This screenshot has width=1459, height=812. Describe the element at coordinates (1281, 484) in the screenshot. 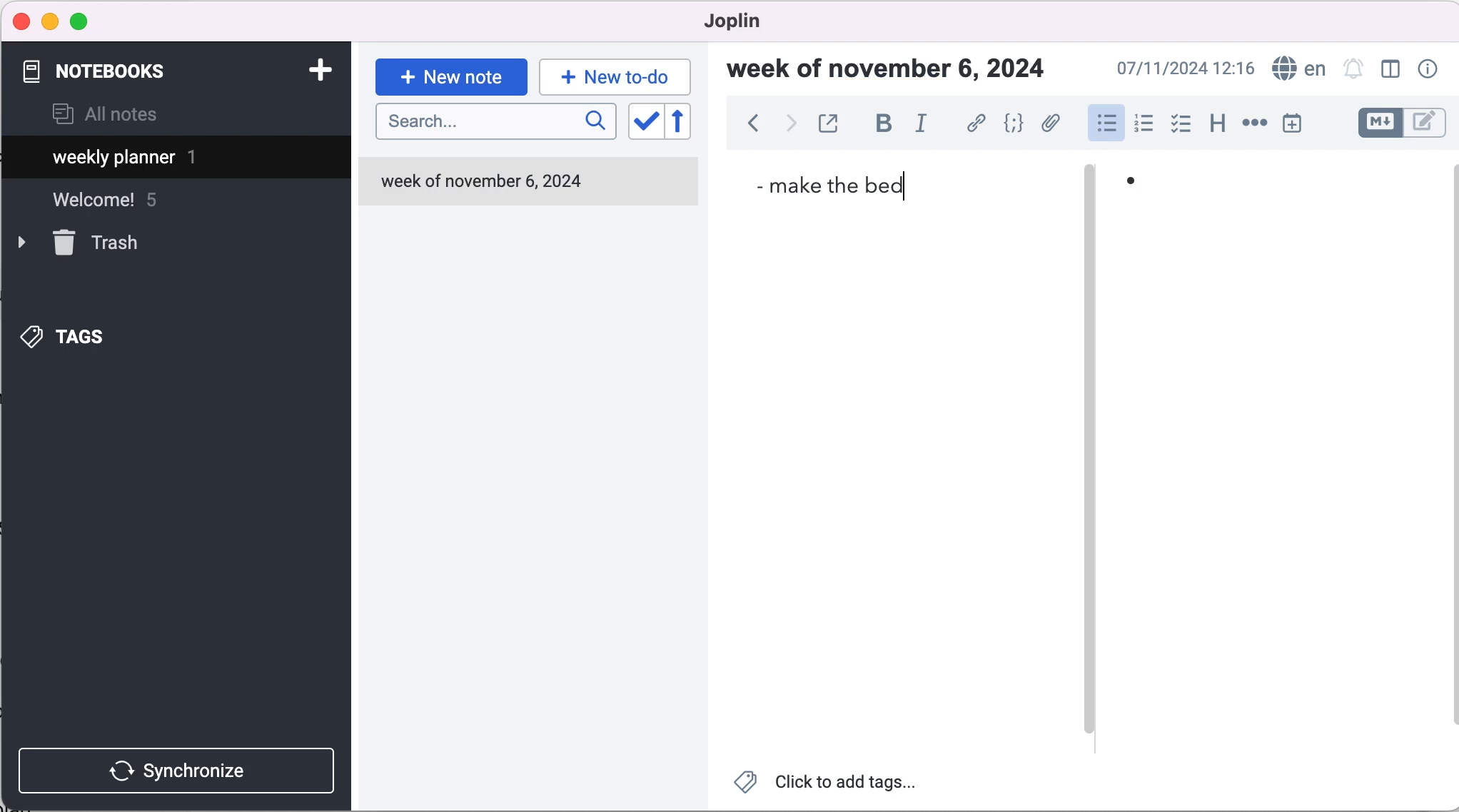

I see `blank canvas` at that location.